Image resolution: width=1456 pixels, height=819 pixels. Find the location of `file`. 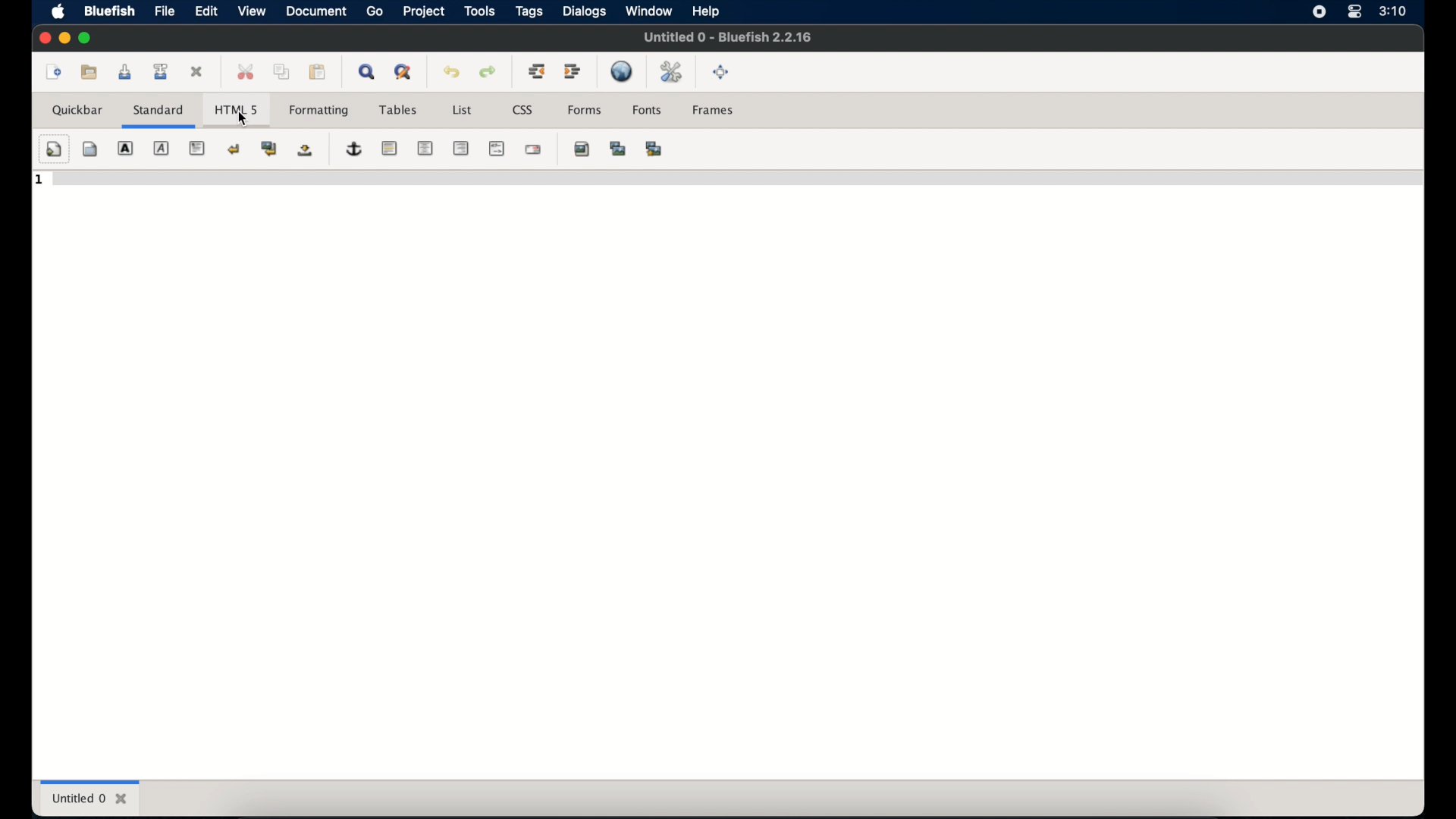

file is located at coordinates (165, 11).